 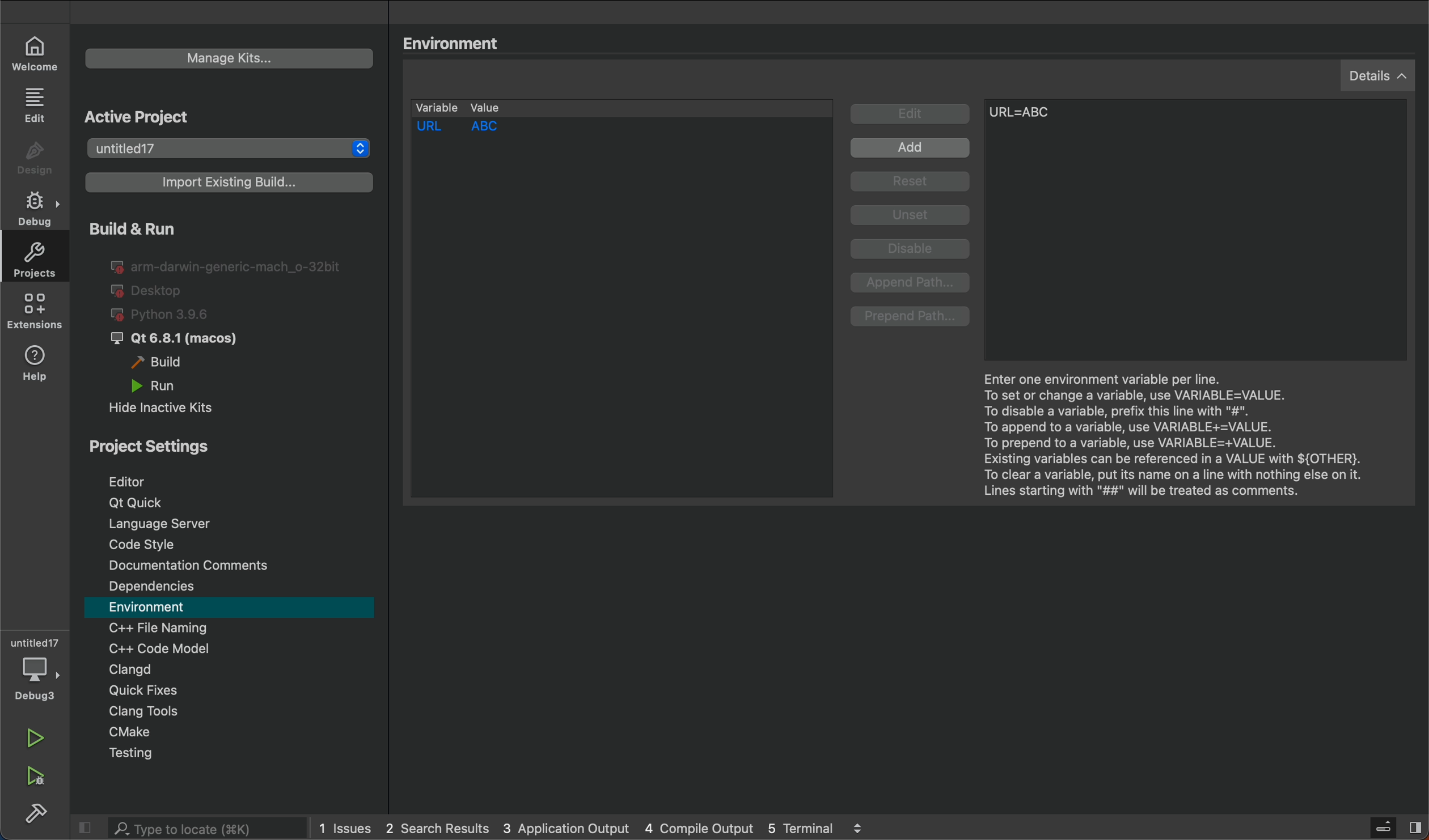 I want to click on toggle sidebar, so click(x=1390, y=827).